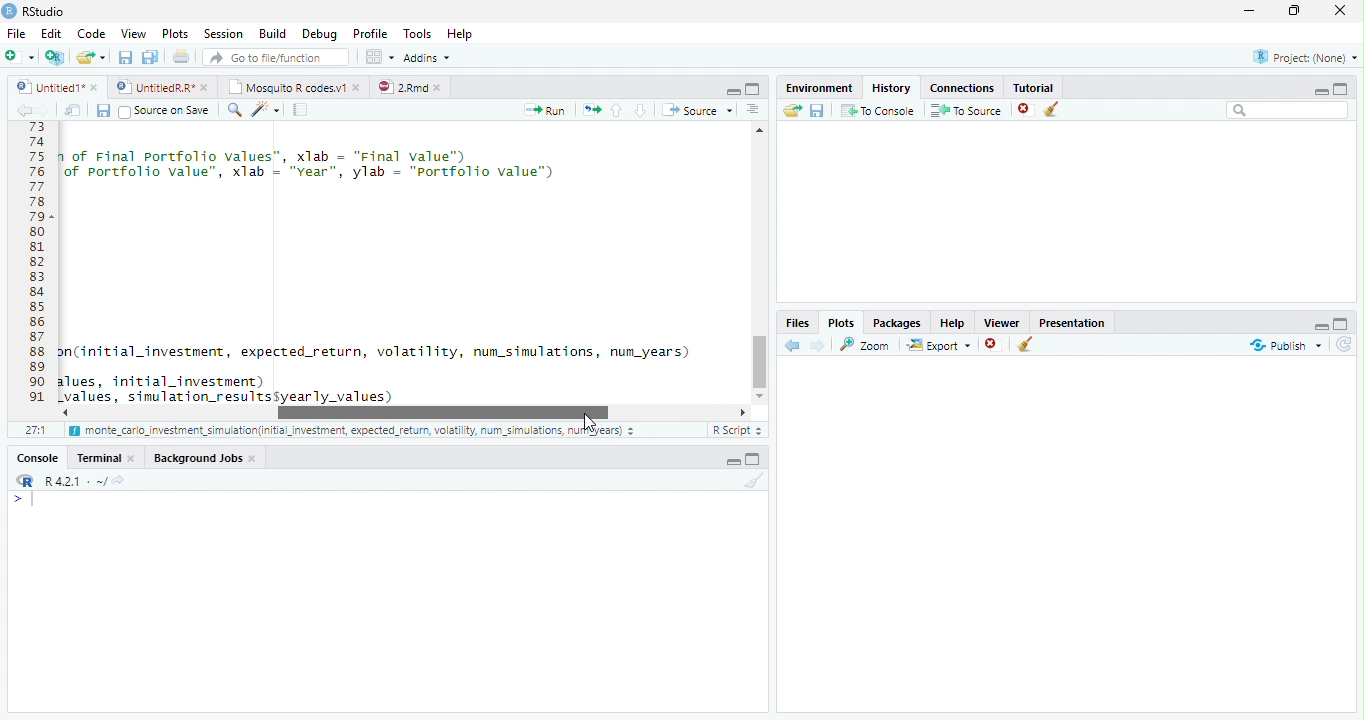 This screenshot has width=1364, height=720. What do you see at coordinates (1003, 320) in the screenshot?
I see `Viewer` at bounding box center [1003, 320].